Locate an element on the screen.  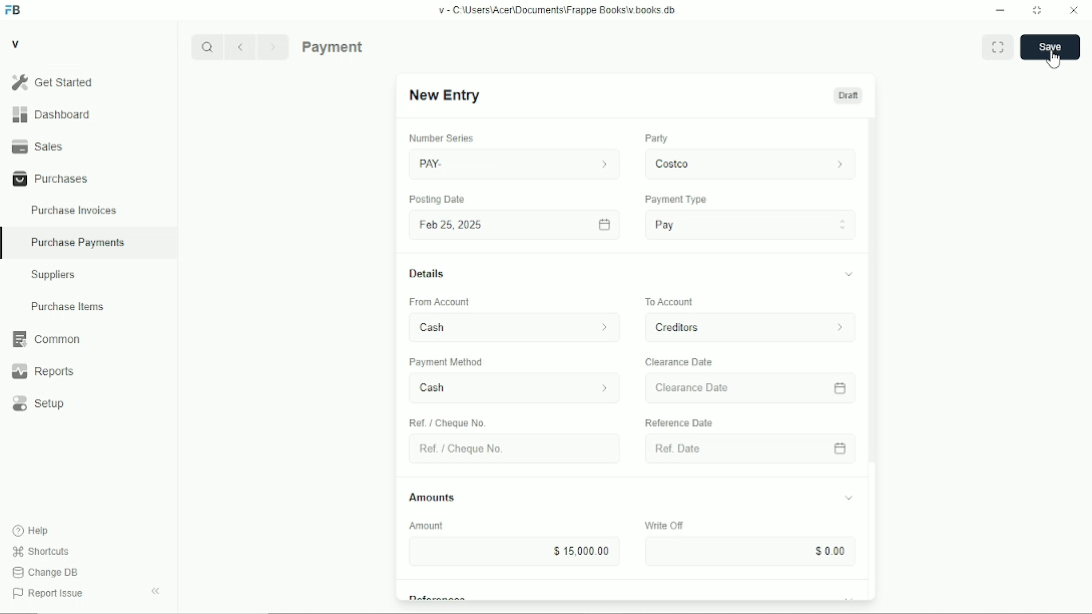
Change dimension is located at coordinates (1037, 10).